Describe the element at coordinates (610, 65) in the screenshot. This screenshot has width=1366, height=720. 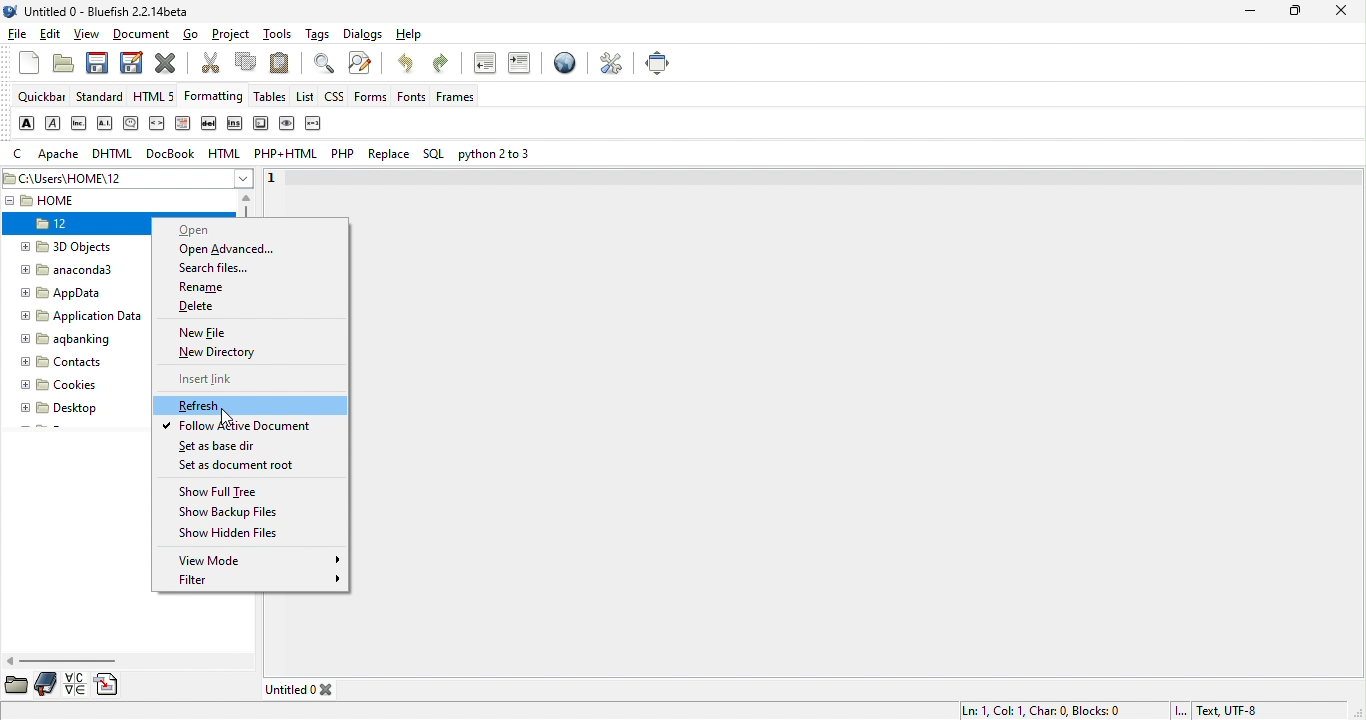
I see `preferences` at that location.